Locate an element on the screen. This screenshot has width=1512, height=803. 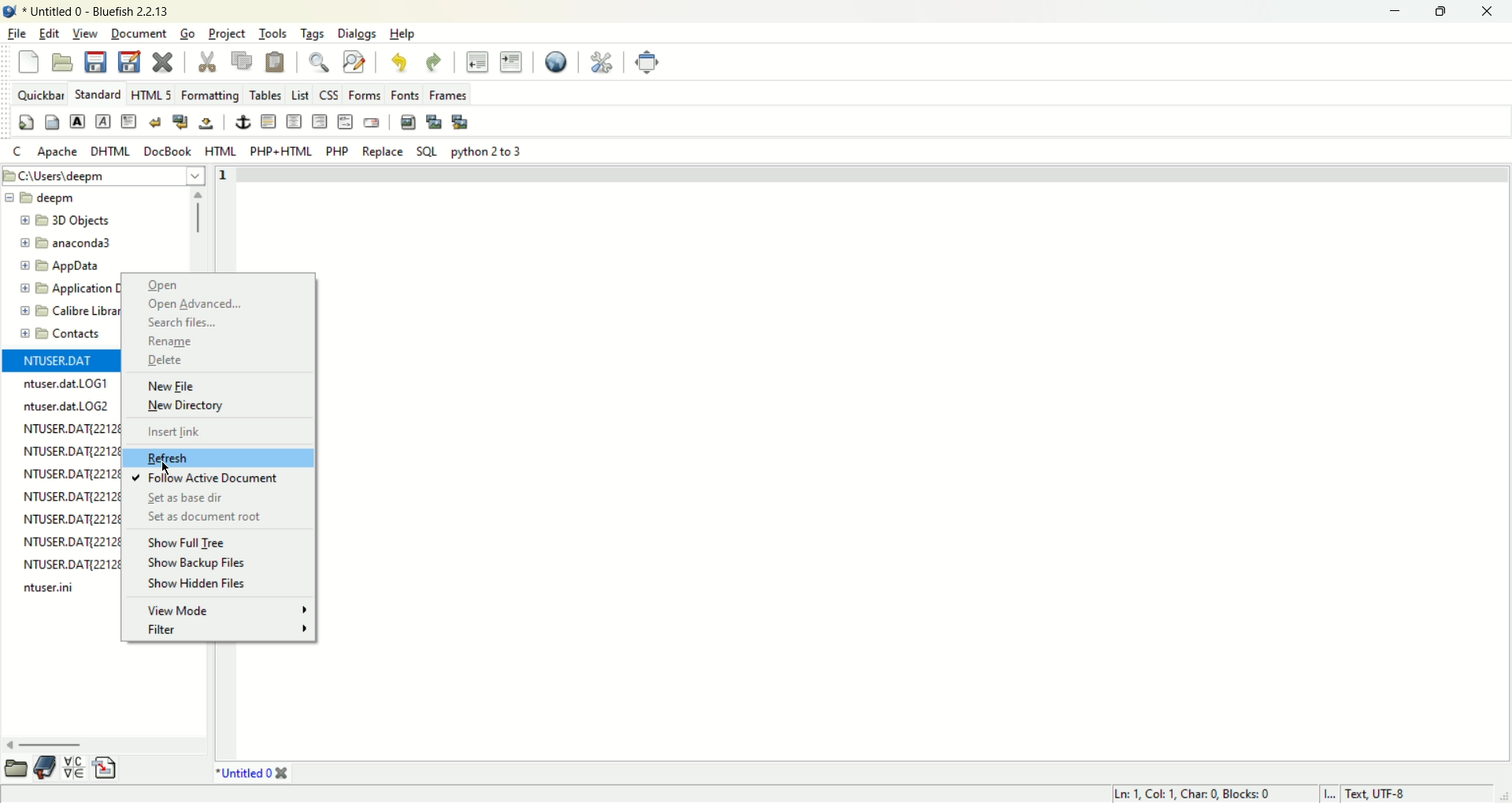
PHP+HTML is located at coordinates (279, 152).